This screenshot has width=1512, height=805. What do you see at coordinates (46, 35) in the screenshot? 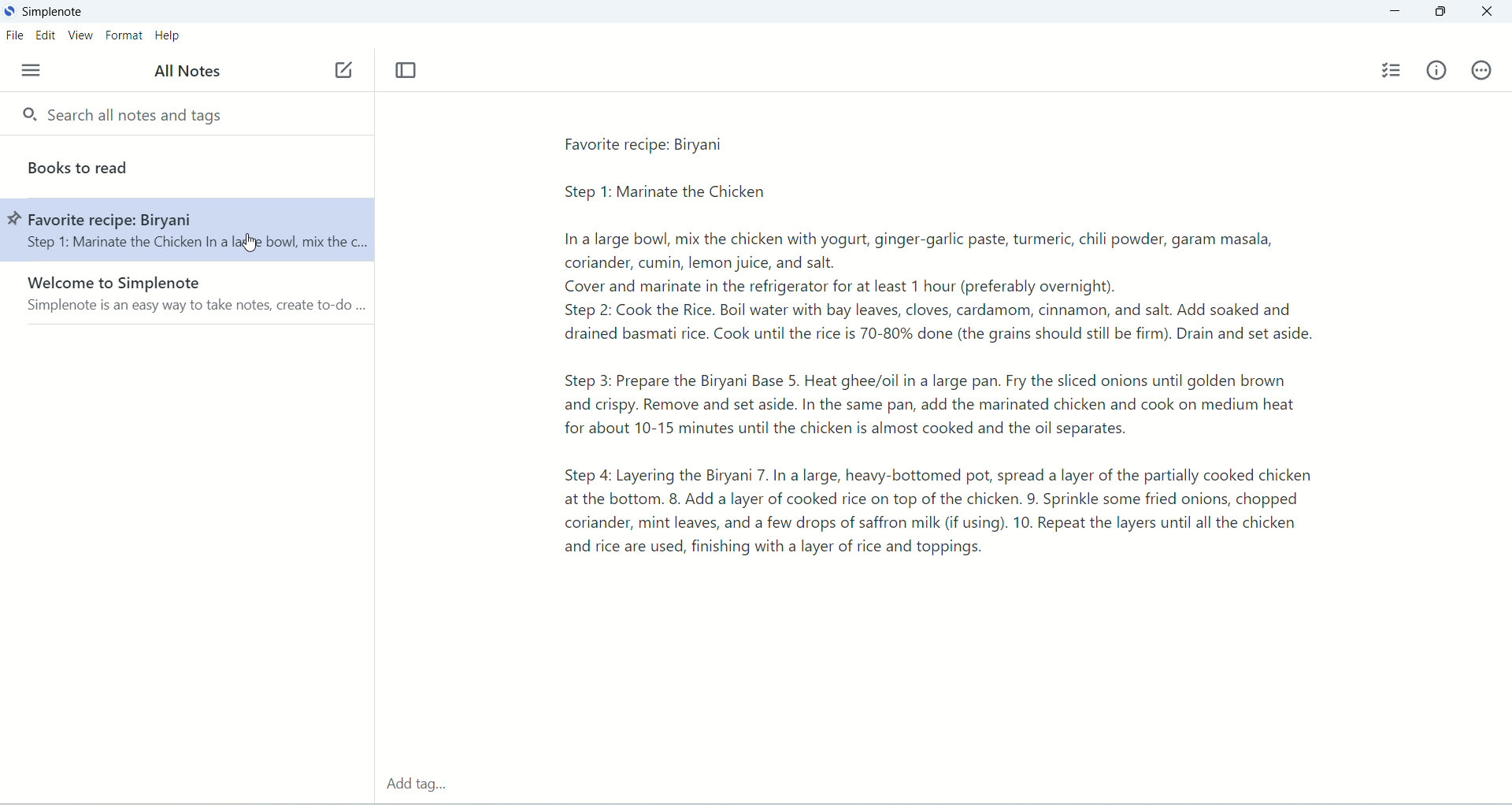
I see `edit` at bounding box center [46, 35].